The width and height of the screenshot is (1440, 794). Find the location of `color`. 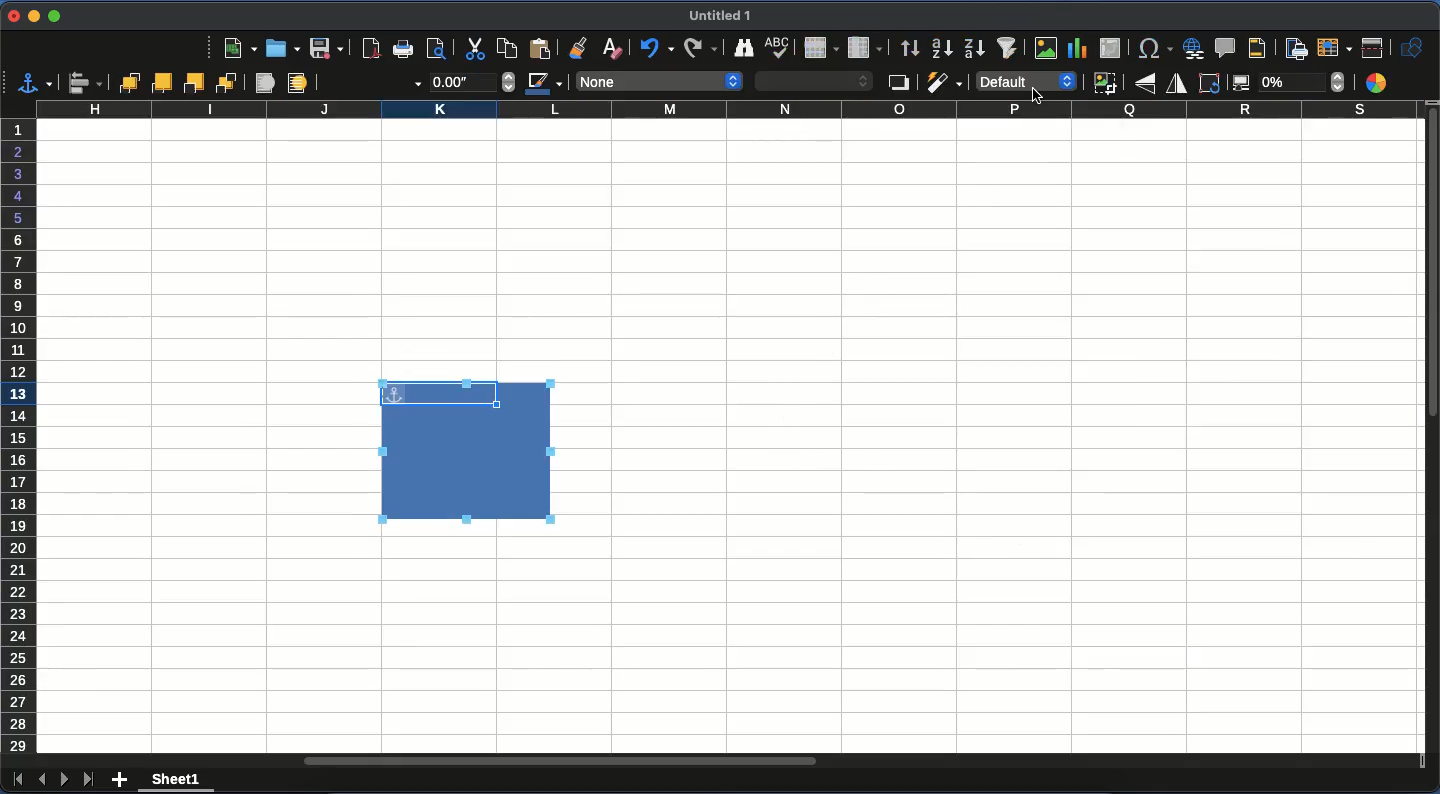

color is located at coordinates (1380, 82).